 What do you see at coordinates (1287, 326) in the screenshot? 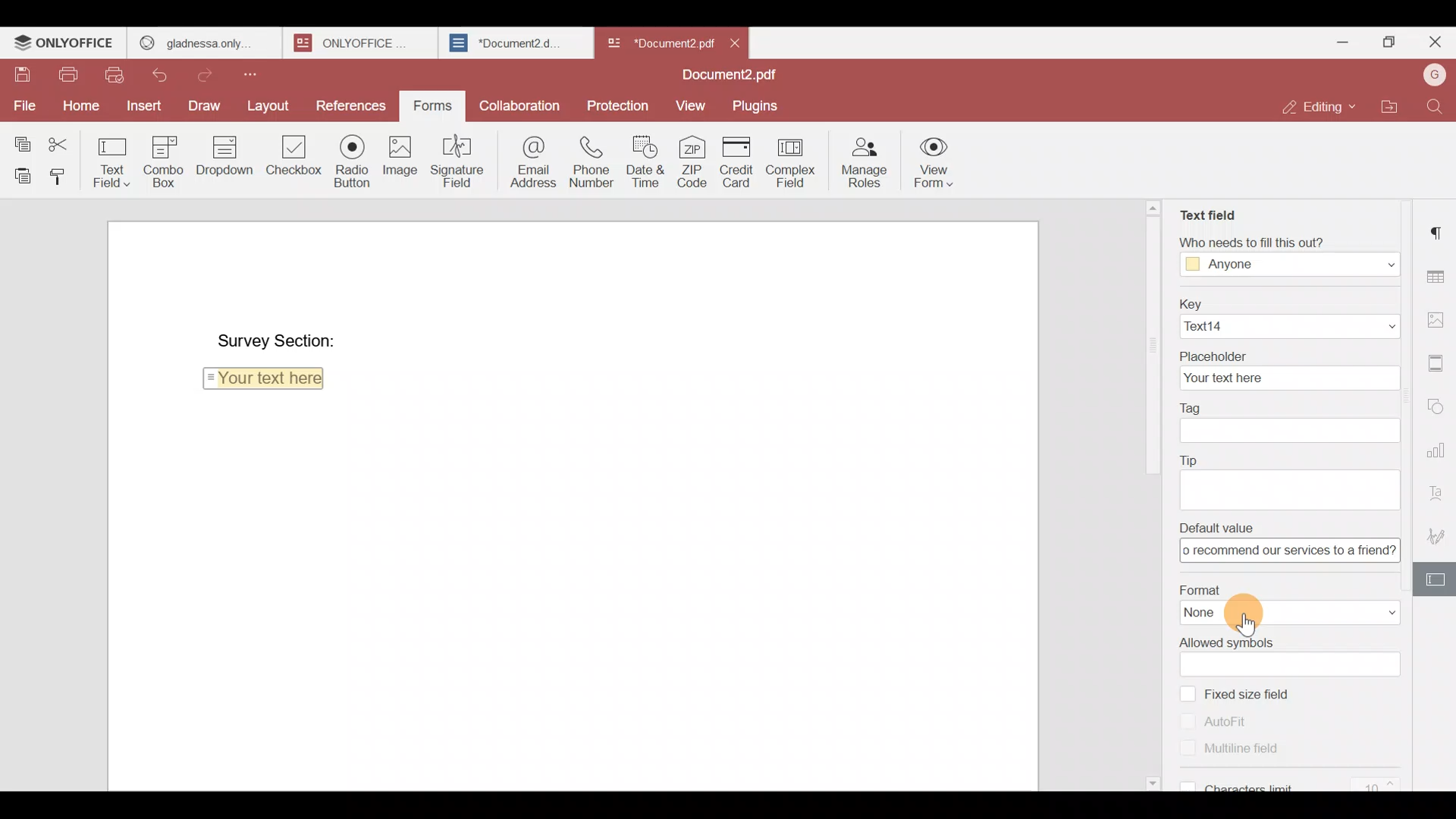
I see `Text14` at bounding box center [1287, 326].